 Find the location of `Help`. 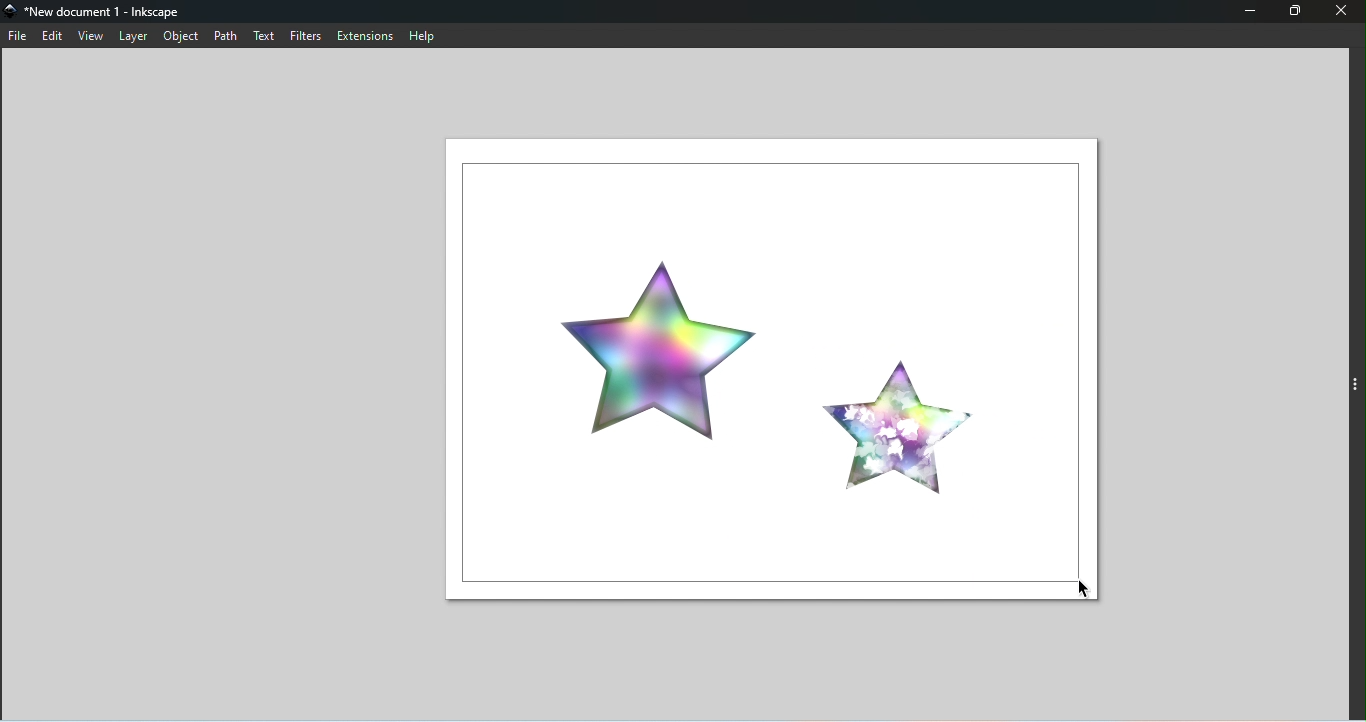

Help is located at coordinates (429, 35).